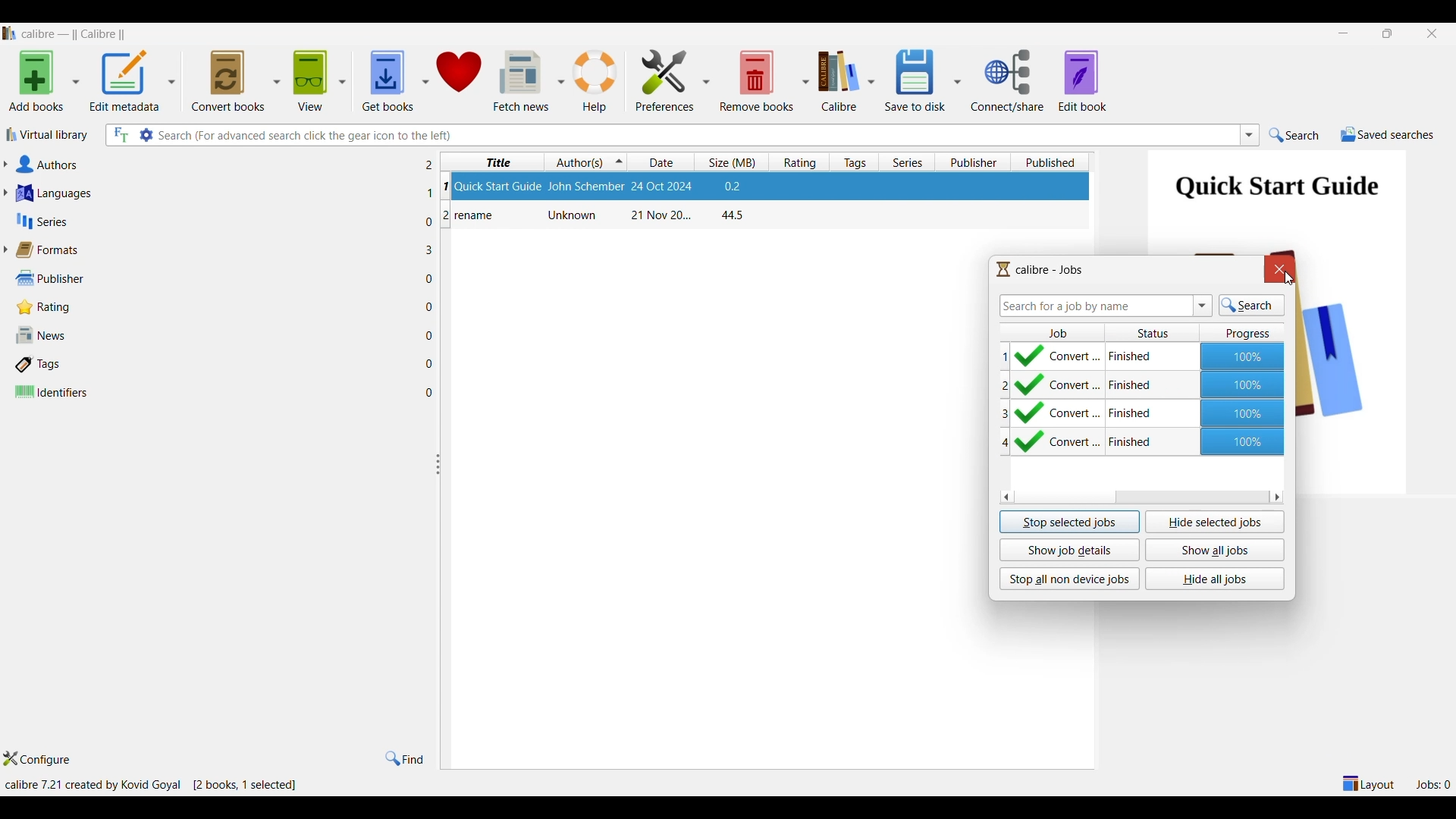  What do you see at coordinates (1291, 281) in the screenshot?
I see `cursor` at bounding box center [1291, 281].